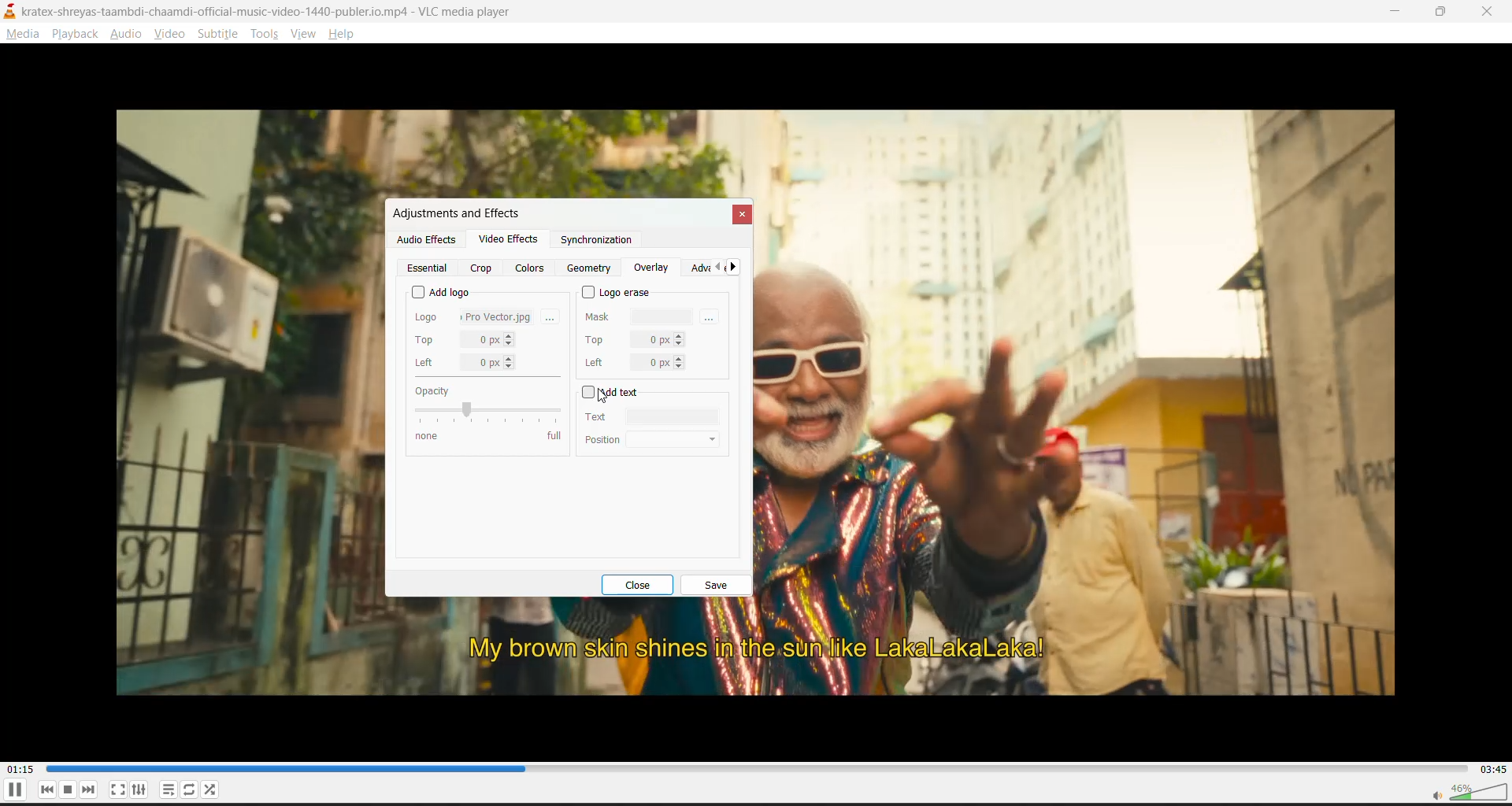 This screenshot has width=1512, height=806. Describe the element at coordinates (604, 400) in the screenshot. I see `cursor` at that location.